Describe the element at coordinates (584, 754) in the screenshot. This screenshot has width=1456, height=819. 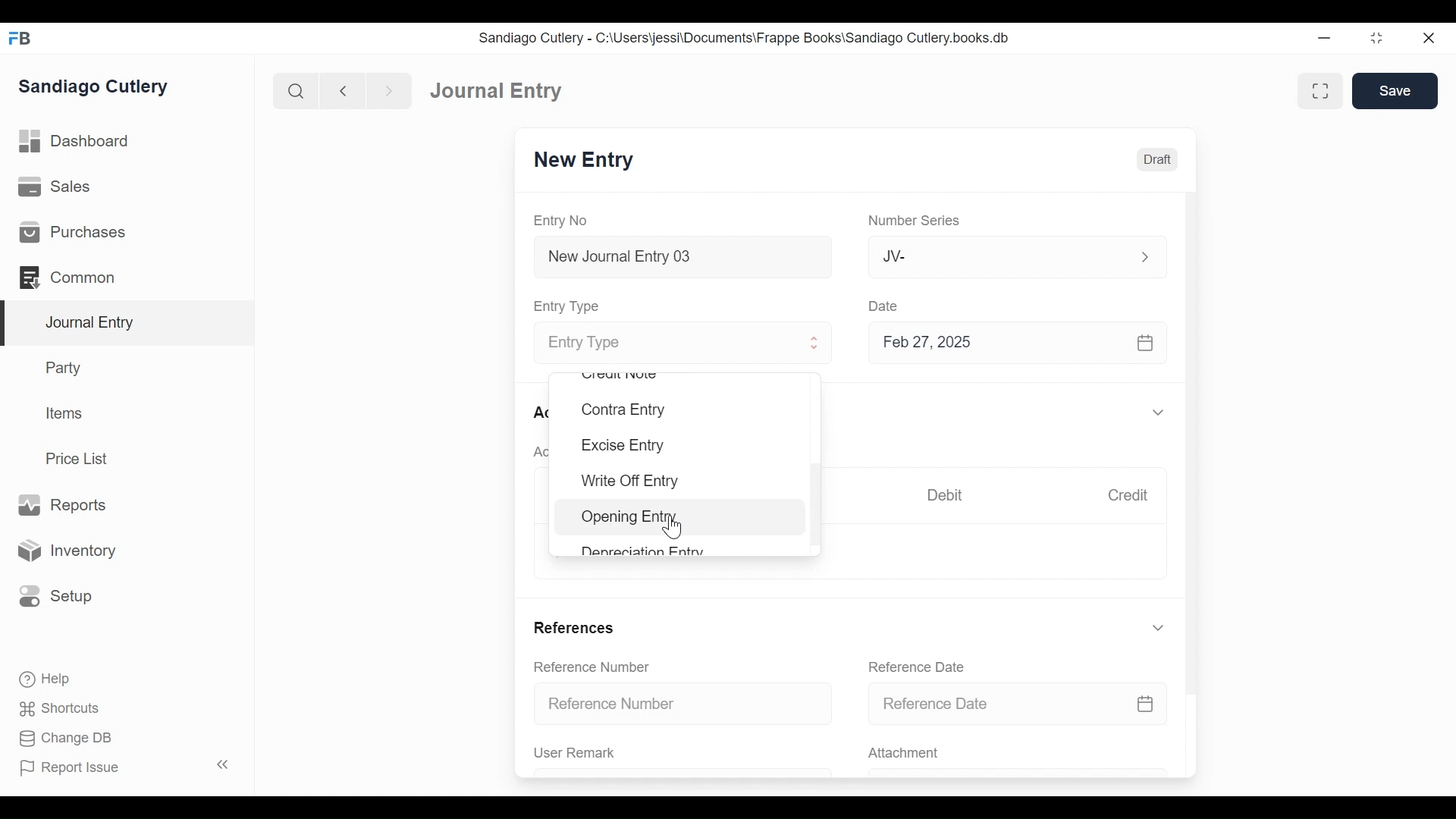
I see `User Remark` at that location.